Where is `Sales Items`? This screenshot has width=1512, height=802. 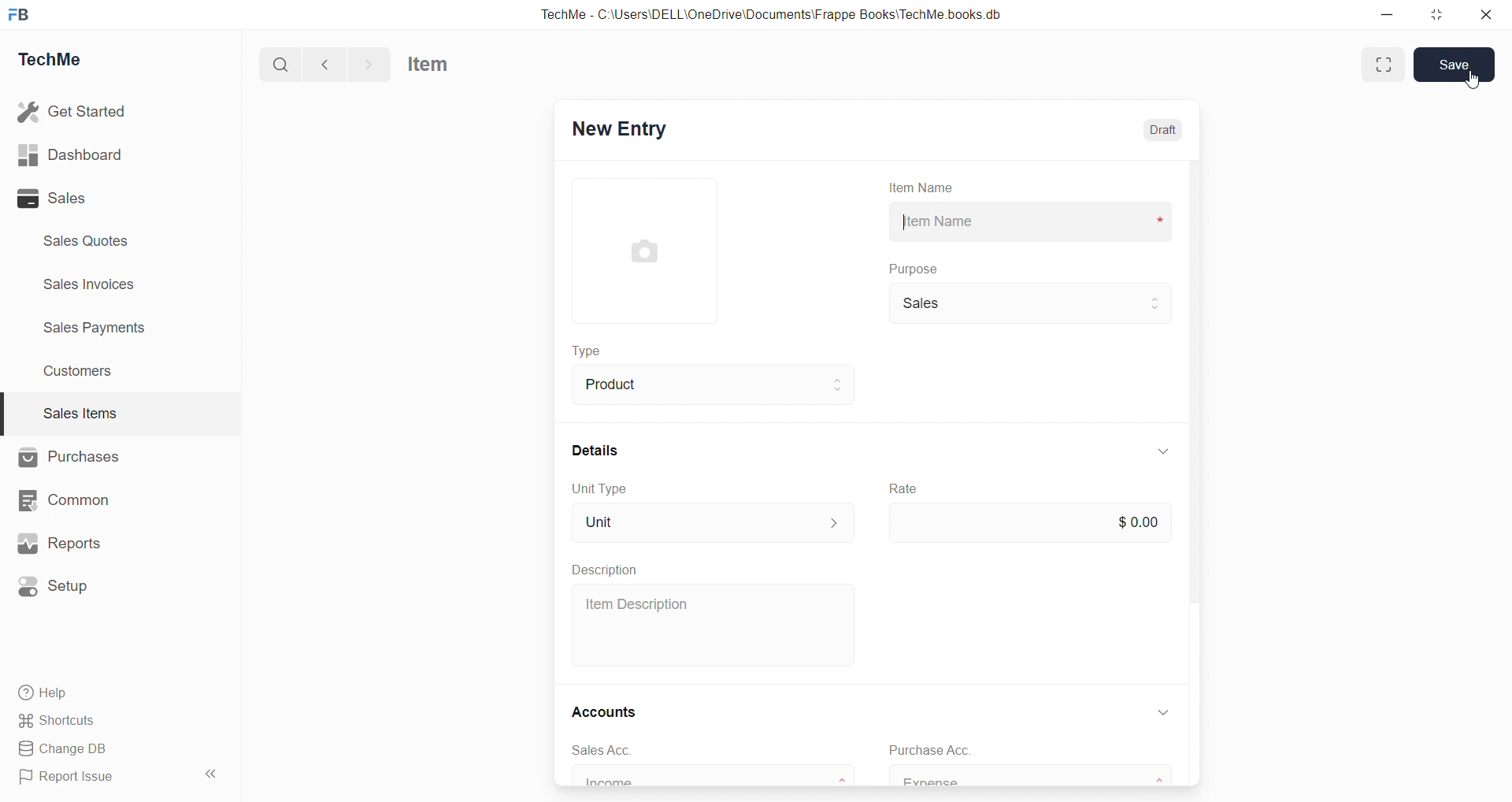 Sales Items is located at coordinates (80, 413).